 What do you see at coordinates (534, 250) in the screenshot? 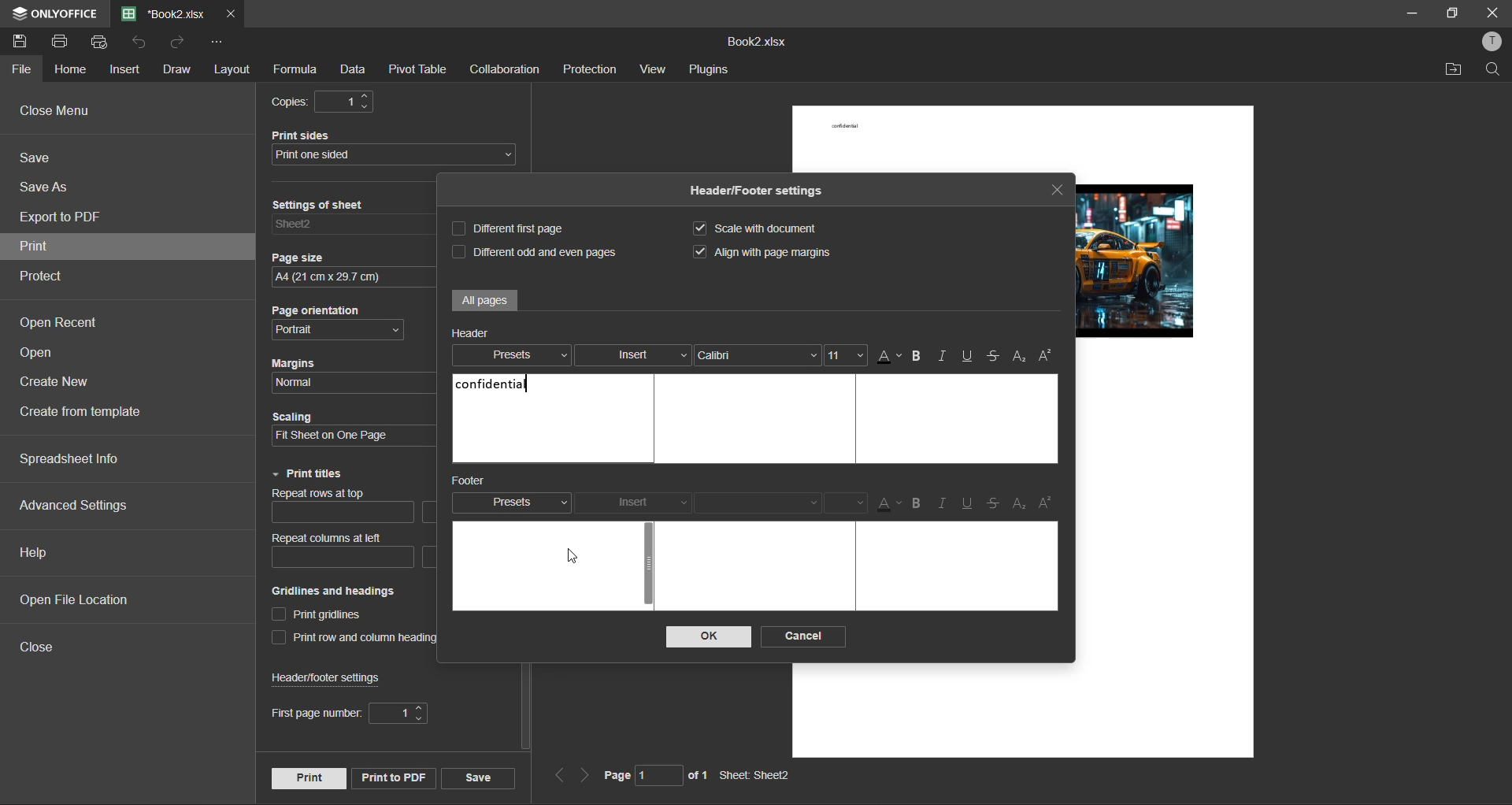
I see `different odd and even pages` at bounding box center [534, 250].